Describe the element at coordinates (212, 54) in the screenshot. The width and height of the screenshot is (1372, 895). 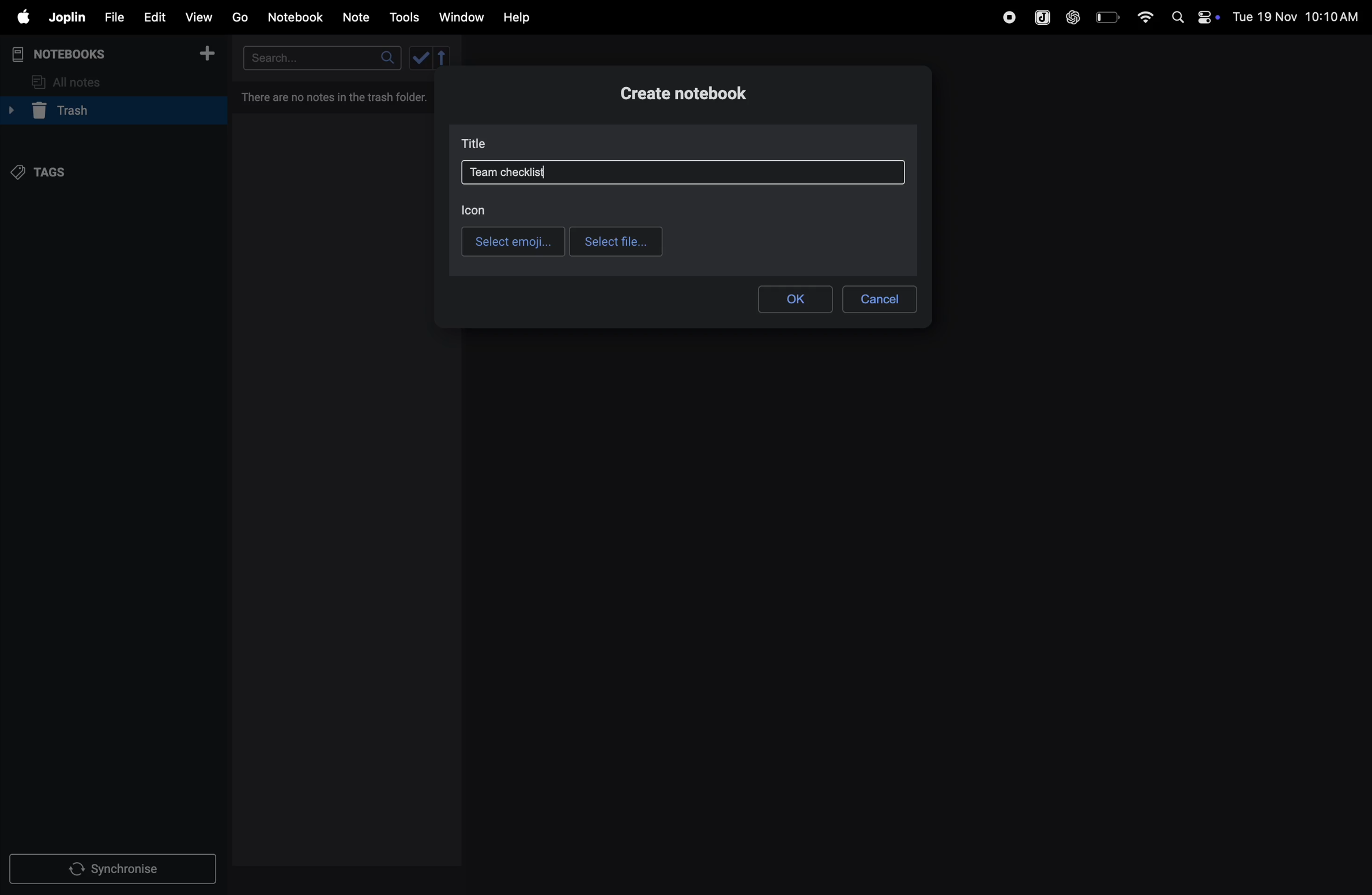
I see `add` at that location.